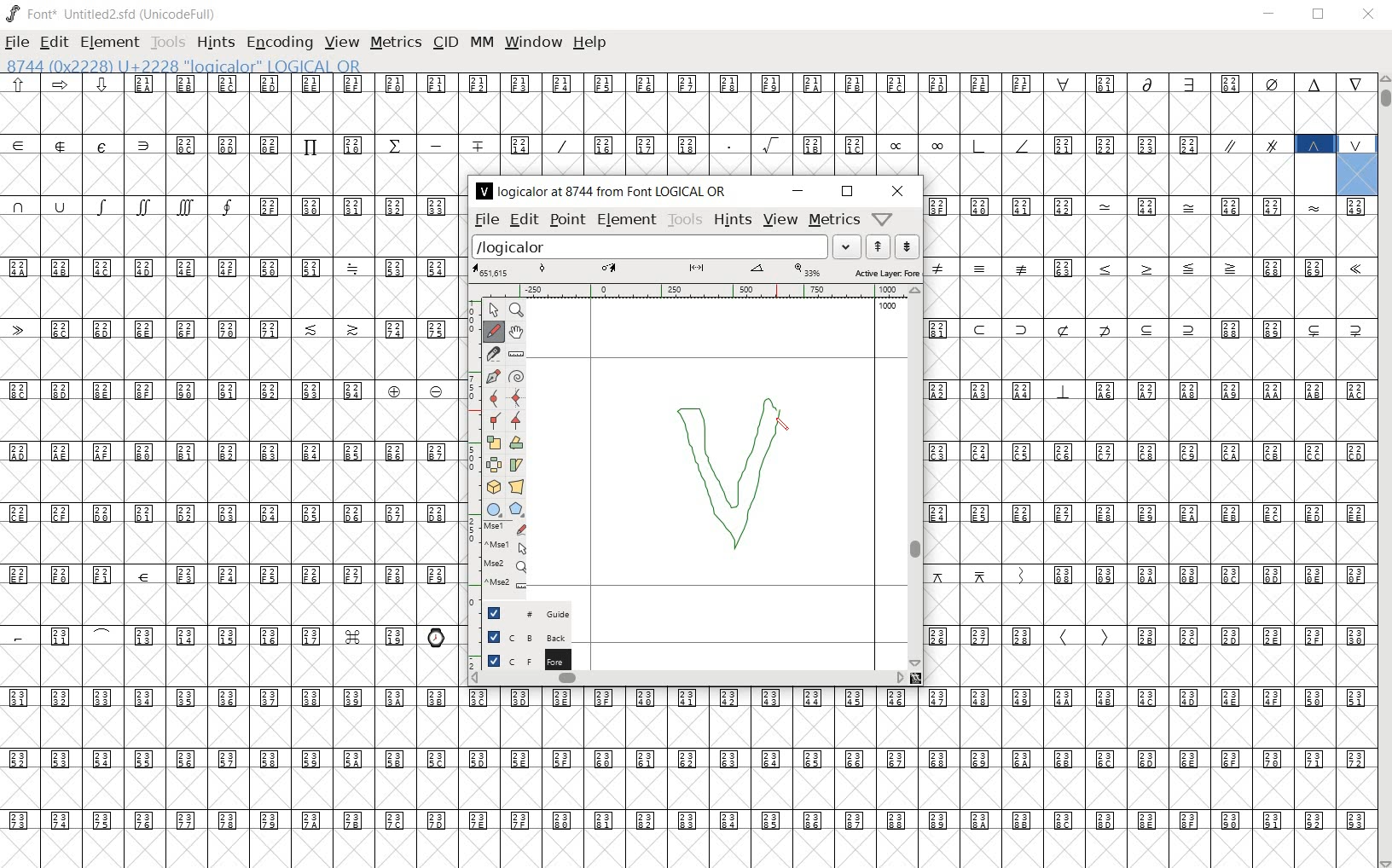 This screenshot has width=1392, height=868. I want to click on font* Untitled2.sfd (UnicodeFull), so click(109, 13).